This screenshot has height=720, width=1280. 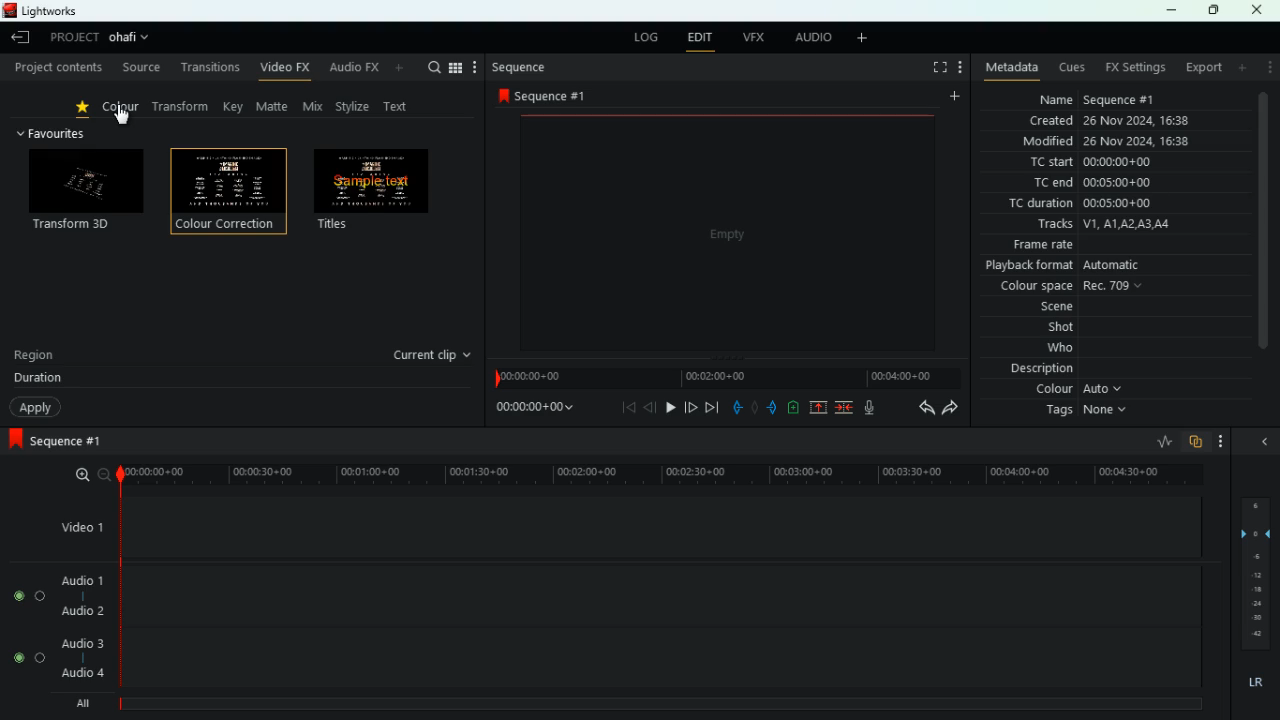 What do you see at coordinates (1242, 68) in the screenshot?
I see `more` at bounding box center [1242, 68].